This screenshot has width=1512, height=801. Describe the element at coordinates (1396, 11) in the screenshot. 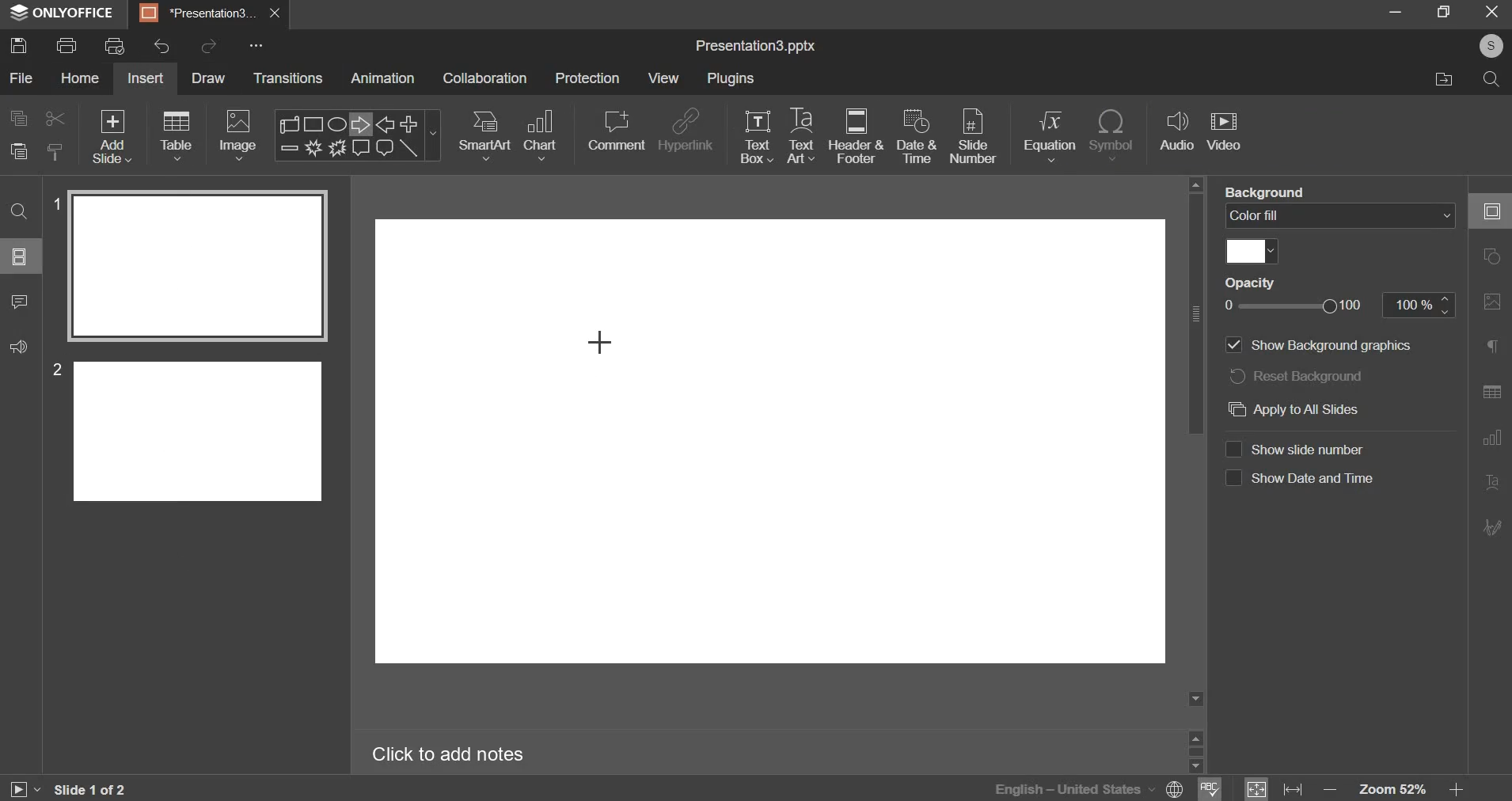

I see `minimize` at that location.